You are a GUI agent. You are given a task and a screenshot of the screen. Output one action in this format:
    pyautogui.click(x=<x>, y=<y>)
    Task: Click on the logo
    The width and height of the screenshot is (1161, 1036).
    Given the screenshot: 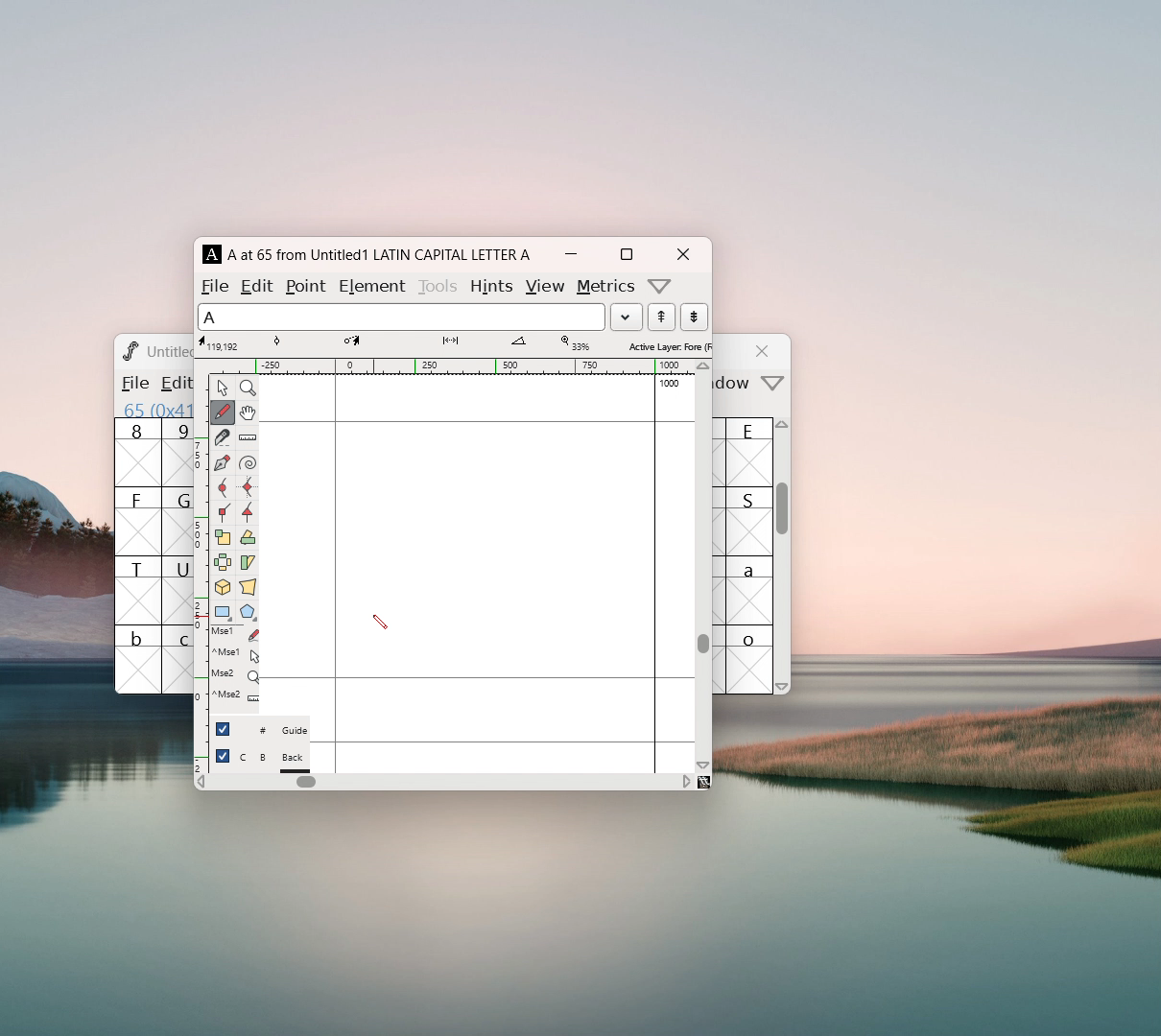 What is the action you would take?
    pyautogui.click(x=129, y=350)
    